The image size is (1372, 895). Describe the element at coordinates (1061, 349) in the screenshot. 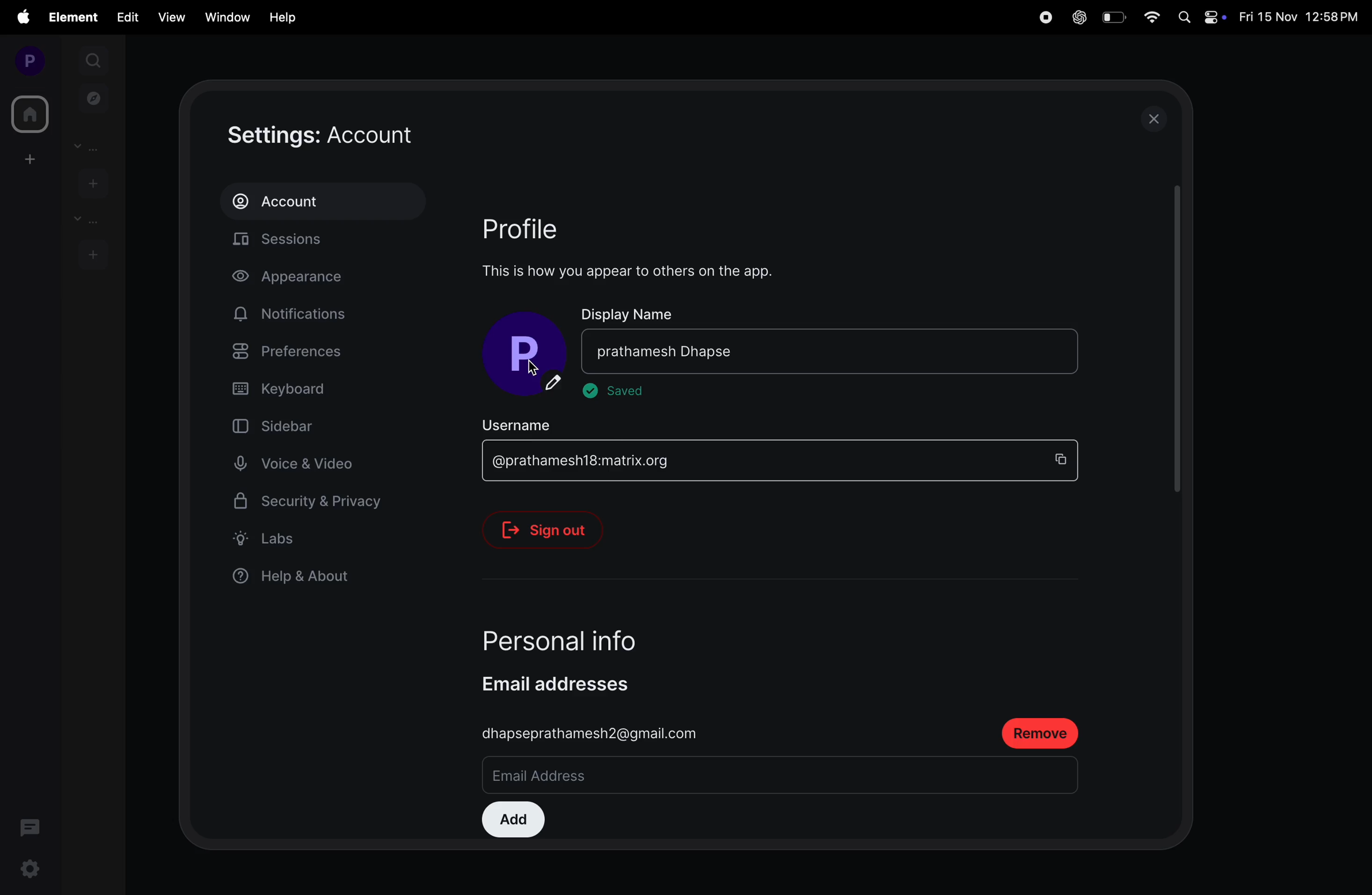

I see `close` at that location.